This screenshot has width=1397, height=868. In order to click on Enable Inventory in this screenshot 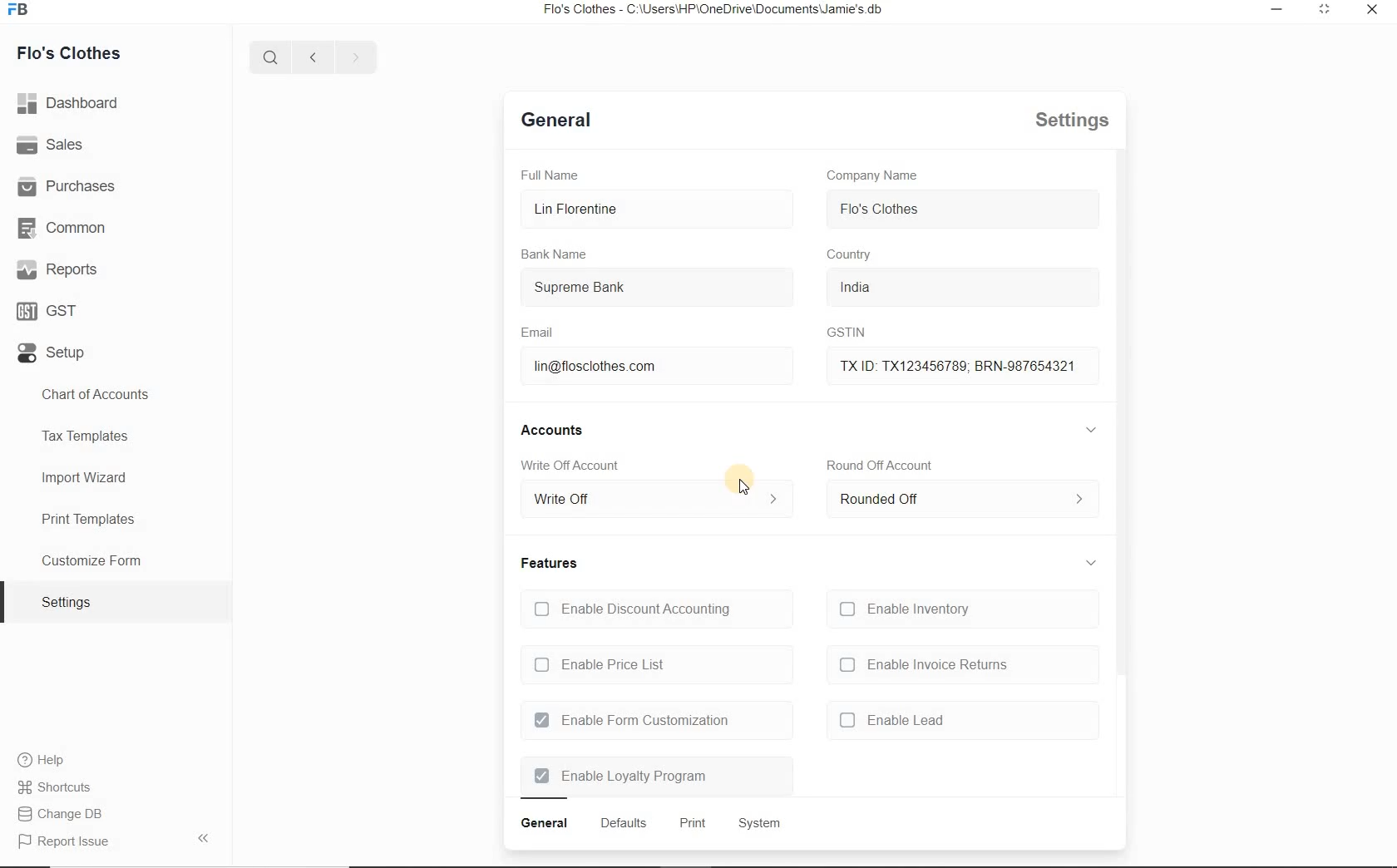, I will do `click(910, 609)`.